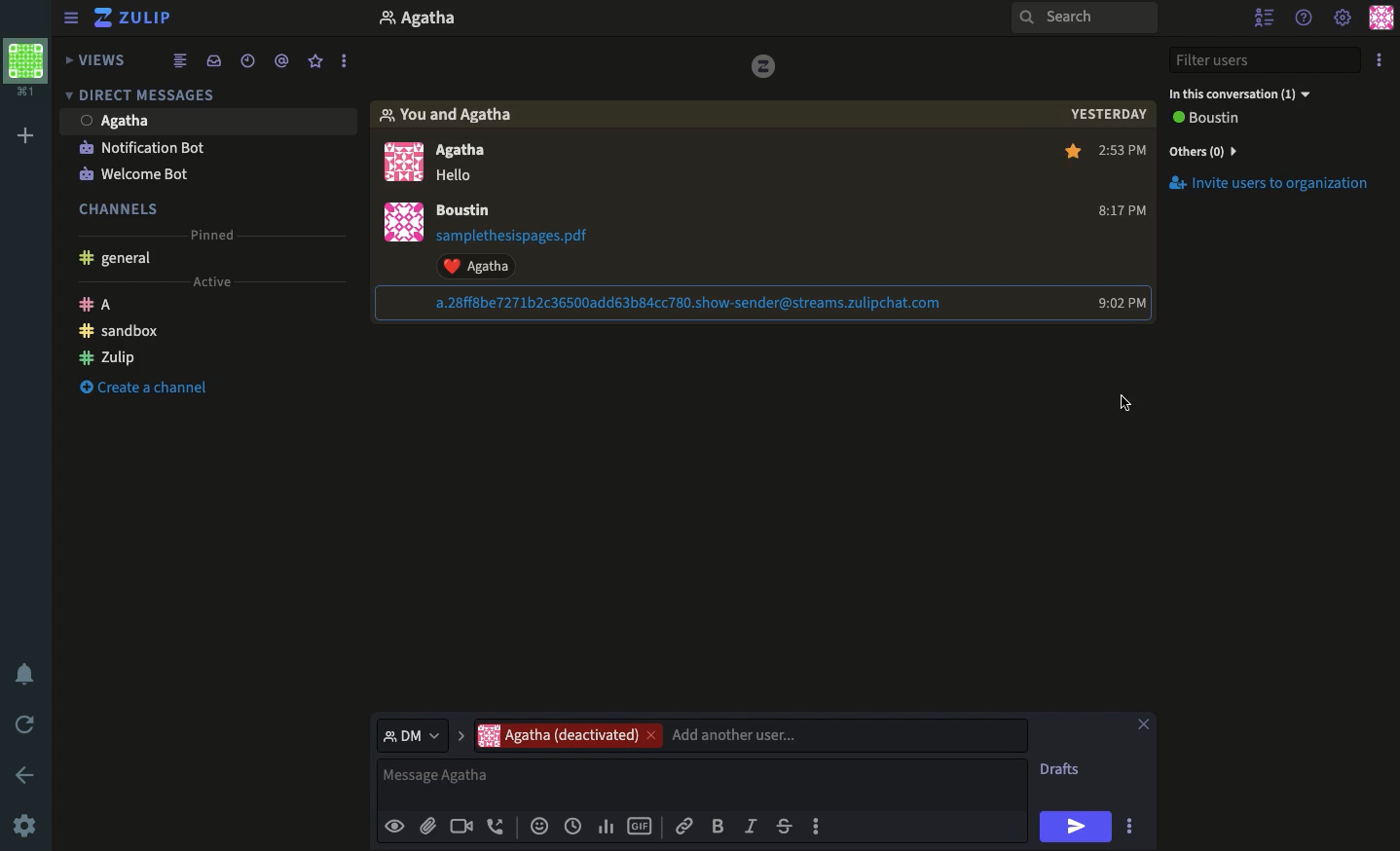  I want to click on Identity, so click(396, 827).